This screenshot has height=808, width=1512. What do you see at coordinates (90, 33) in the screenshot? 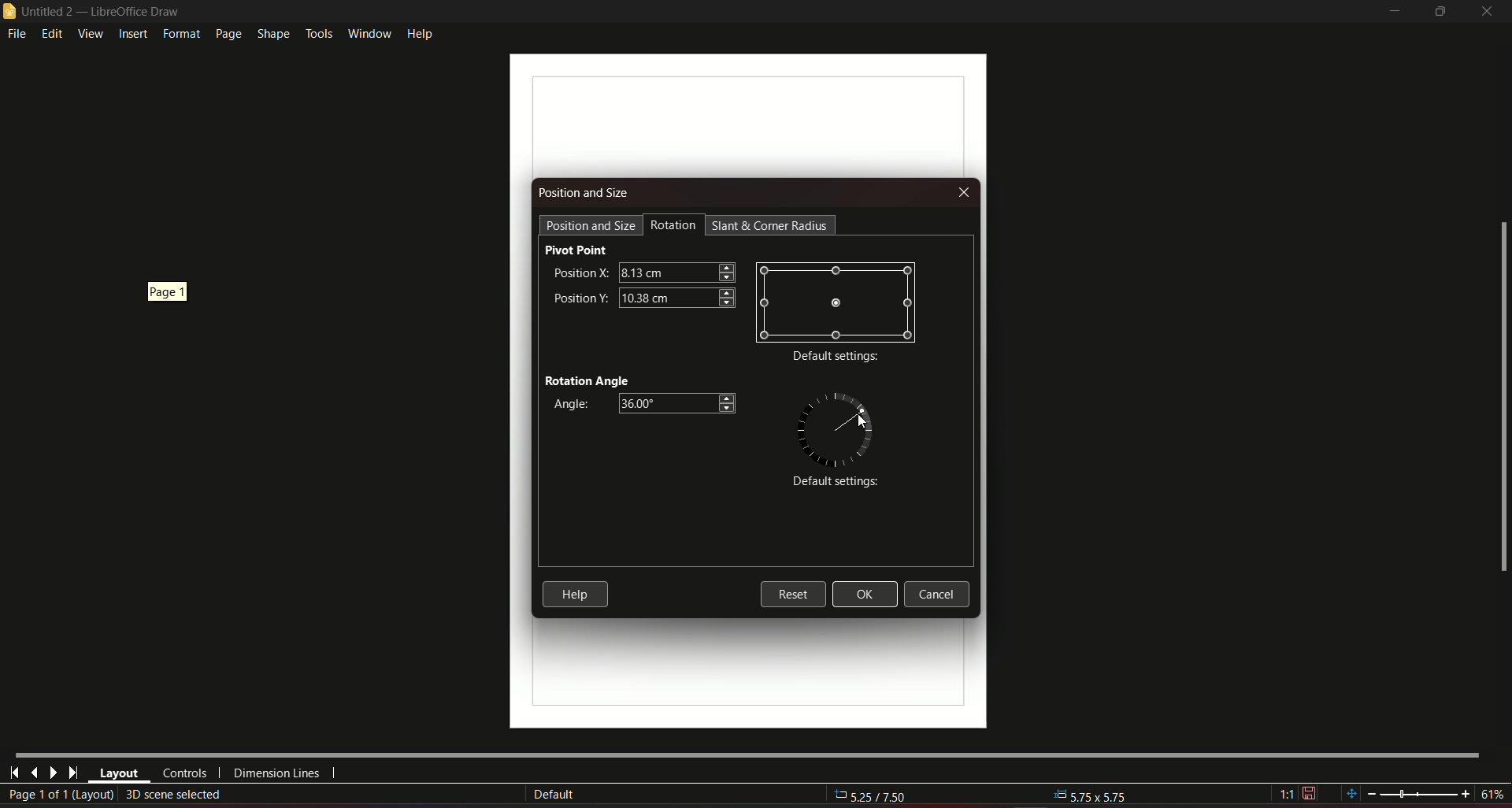
I see `view` at bounding box center [90, 33].